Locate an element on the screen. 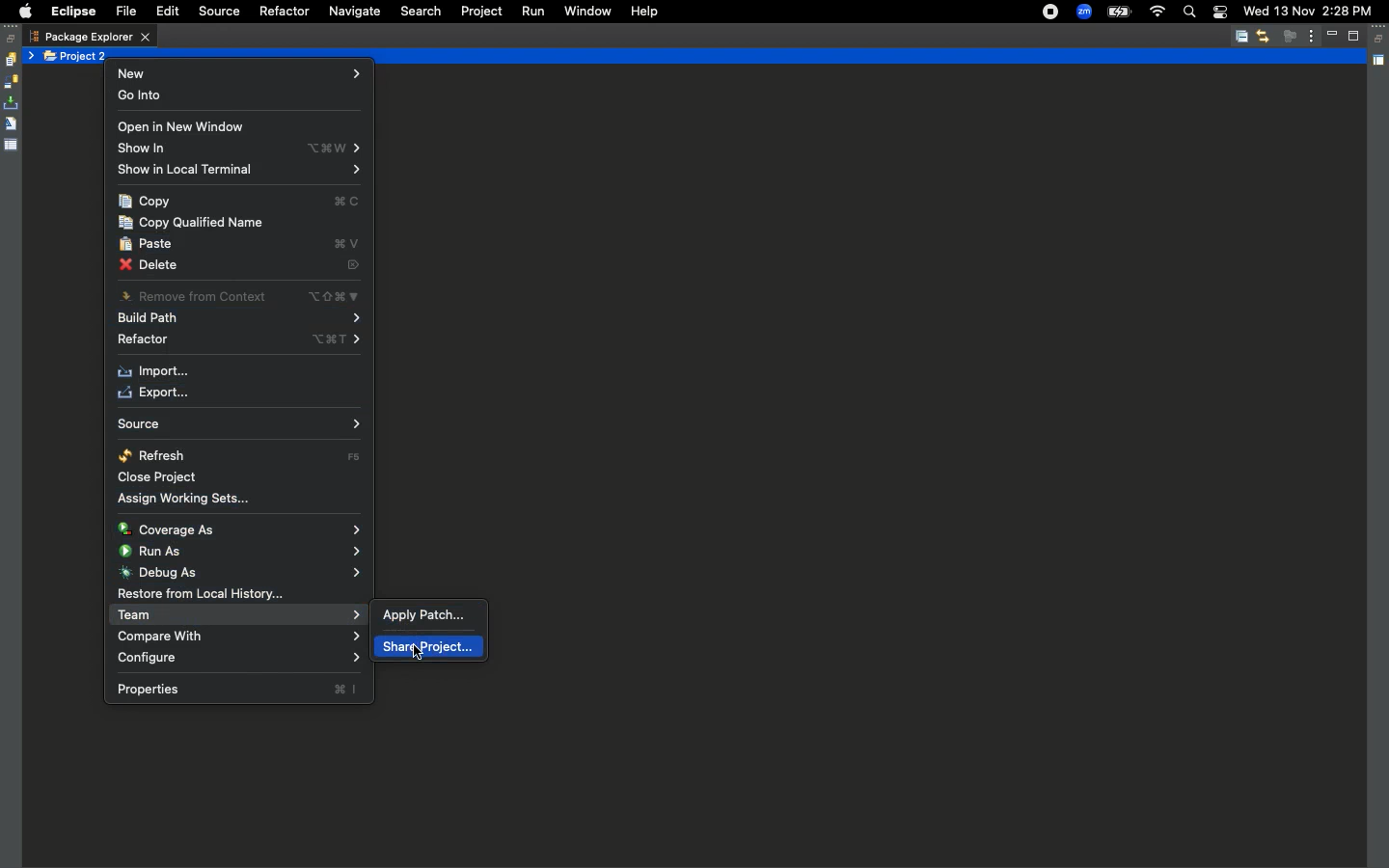  Help is located at coordinates (641, 11).